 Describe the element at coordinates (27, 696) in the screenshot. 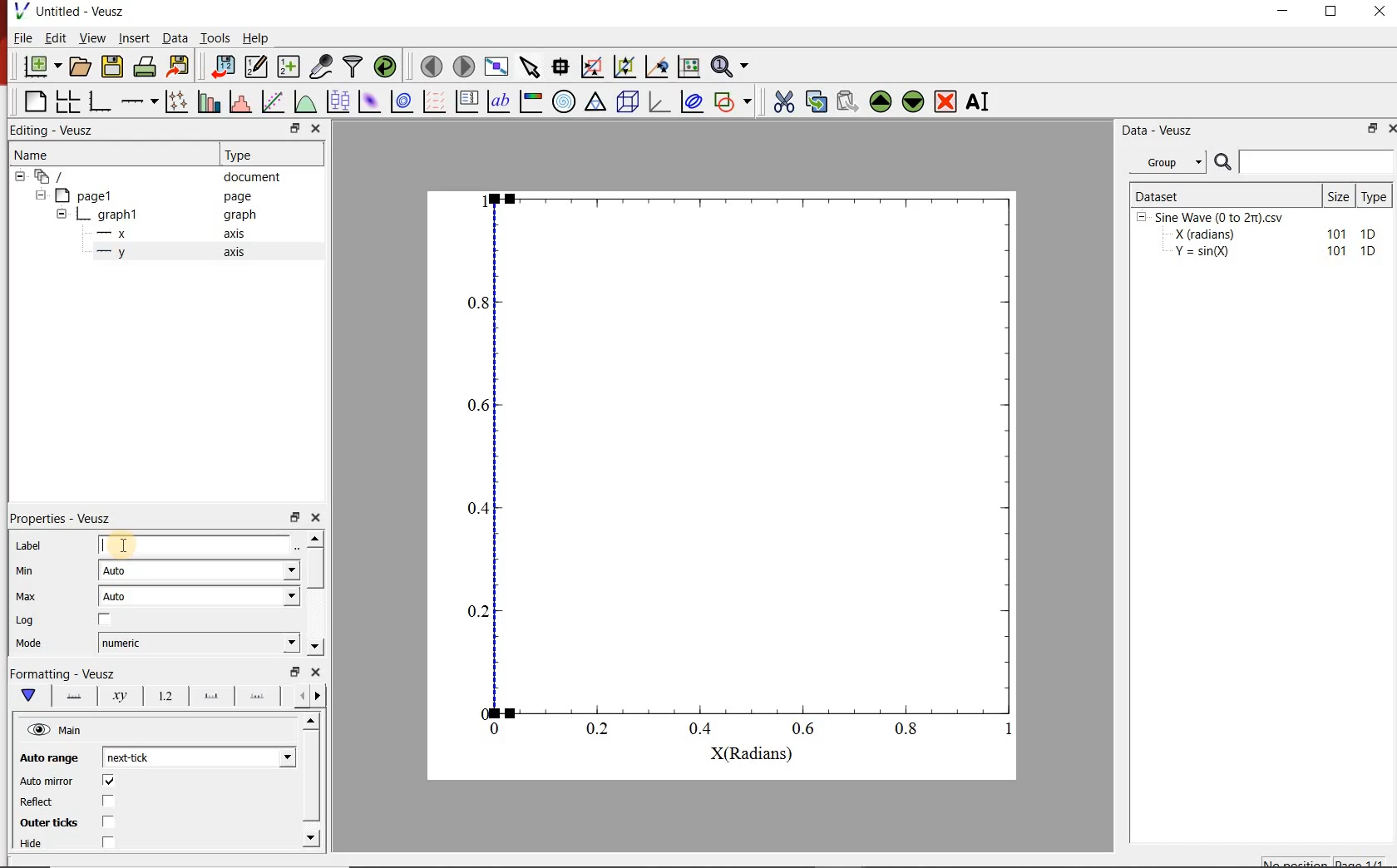

I see `down arrow` at that location.